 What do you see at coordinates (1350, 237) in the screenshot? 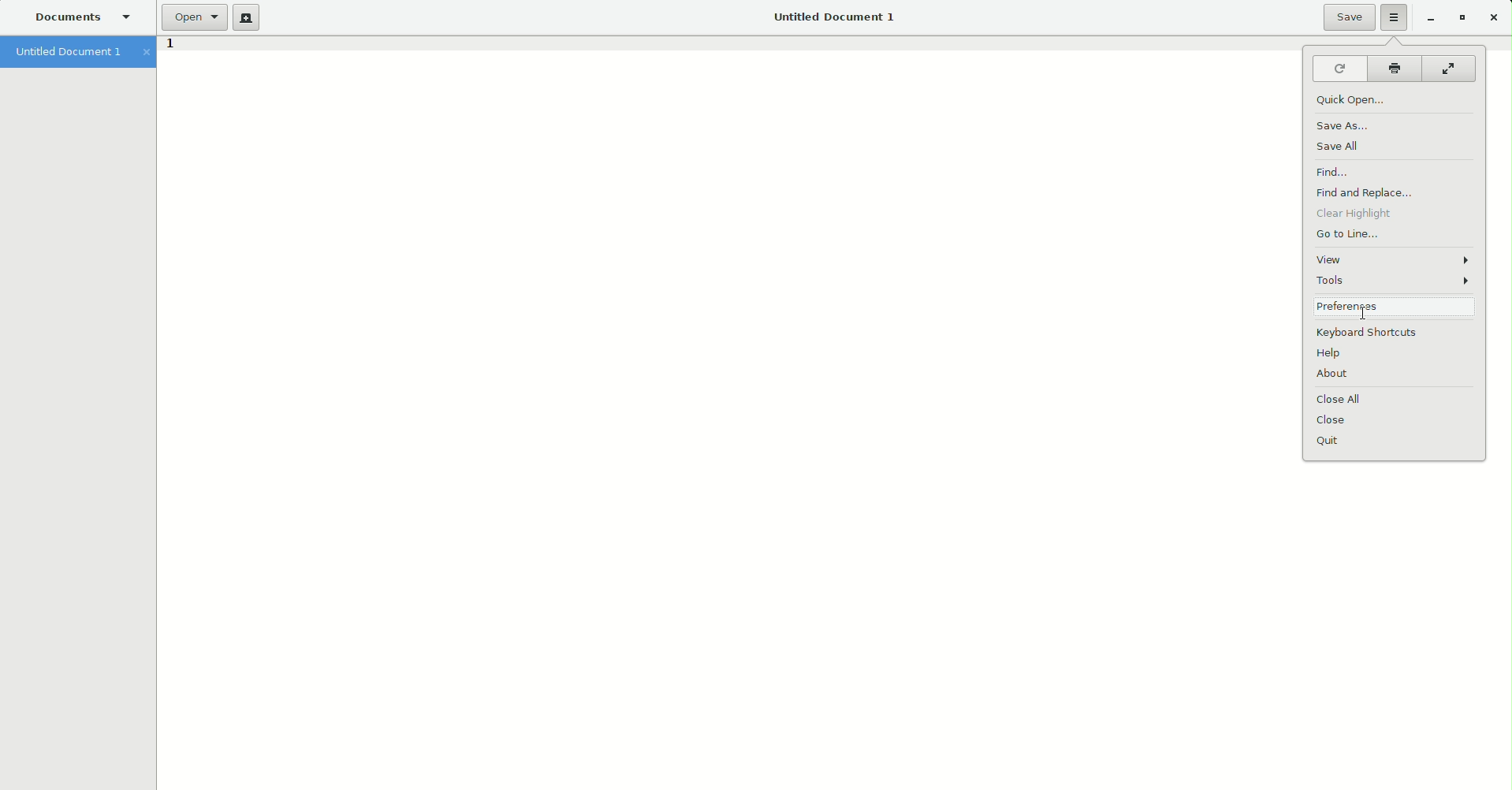
I see `Go to line` at bounding box center [1350, 237].